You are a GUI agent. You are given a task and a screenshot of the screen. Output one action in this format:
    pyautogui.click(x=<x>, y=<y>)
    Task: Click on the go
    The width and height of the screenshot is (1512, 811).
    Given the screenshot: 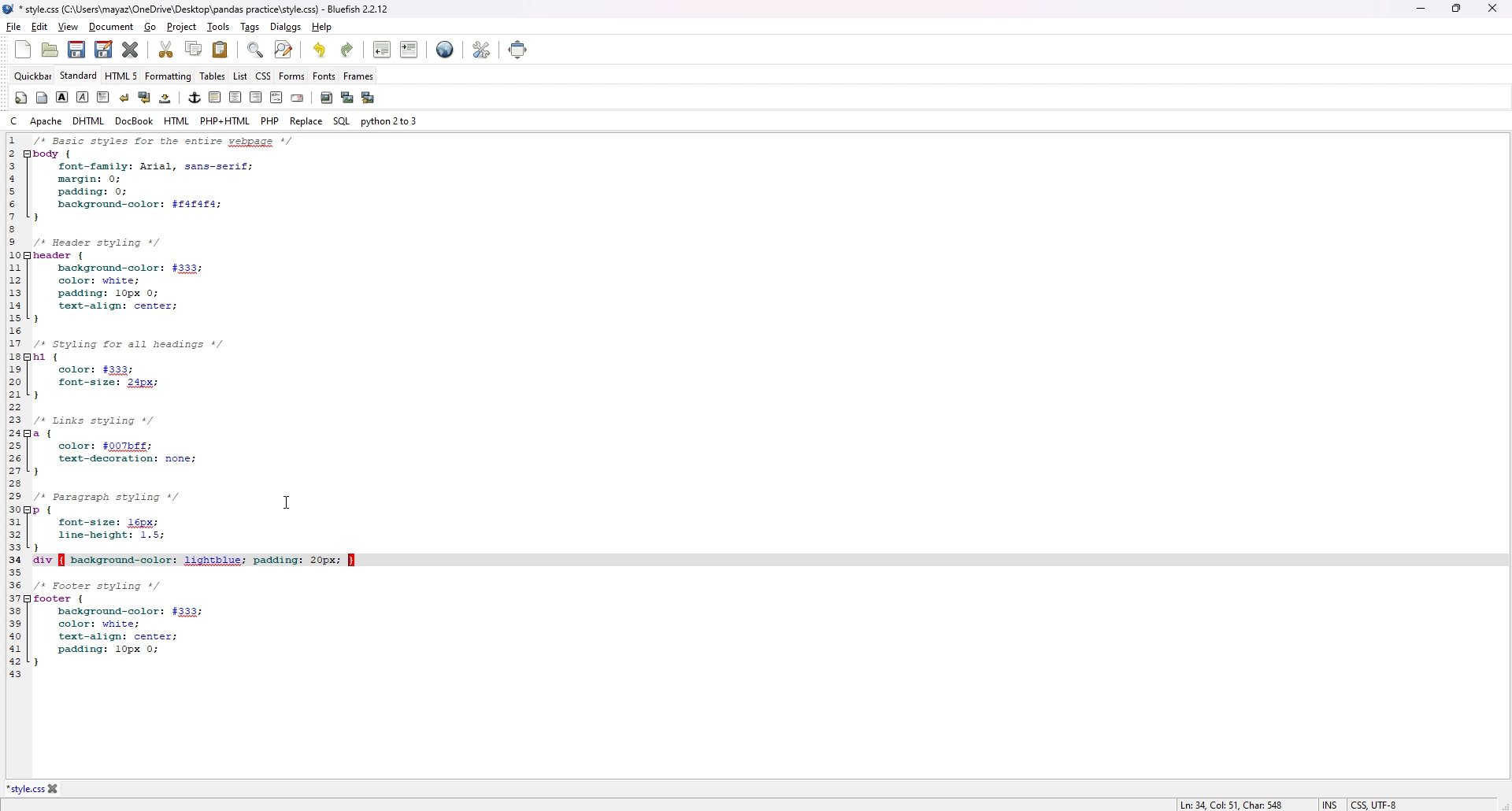 What is the action you would take?
    pyautogui.click(x=150, y=27)
    